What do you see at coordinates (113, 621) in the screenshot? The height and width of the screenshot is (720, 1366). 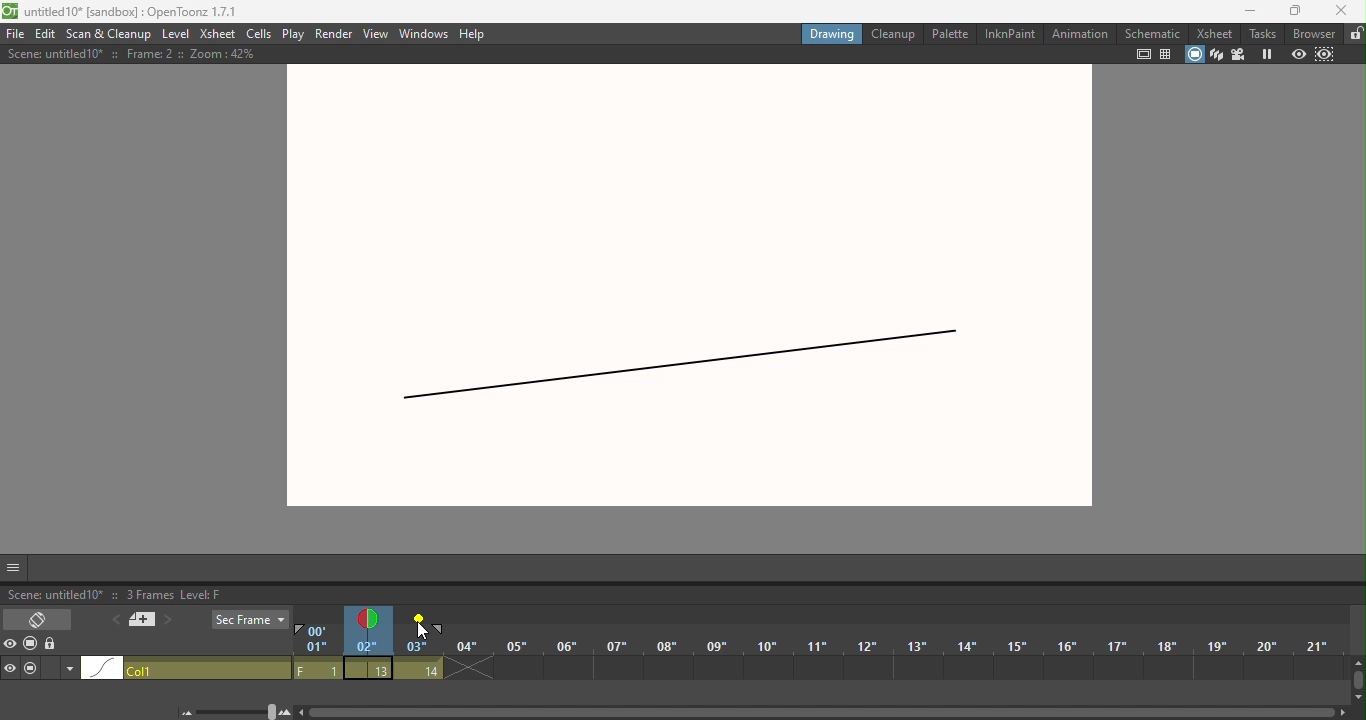 I see `Previous memo` at bounding box center [113, 621].